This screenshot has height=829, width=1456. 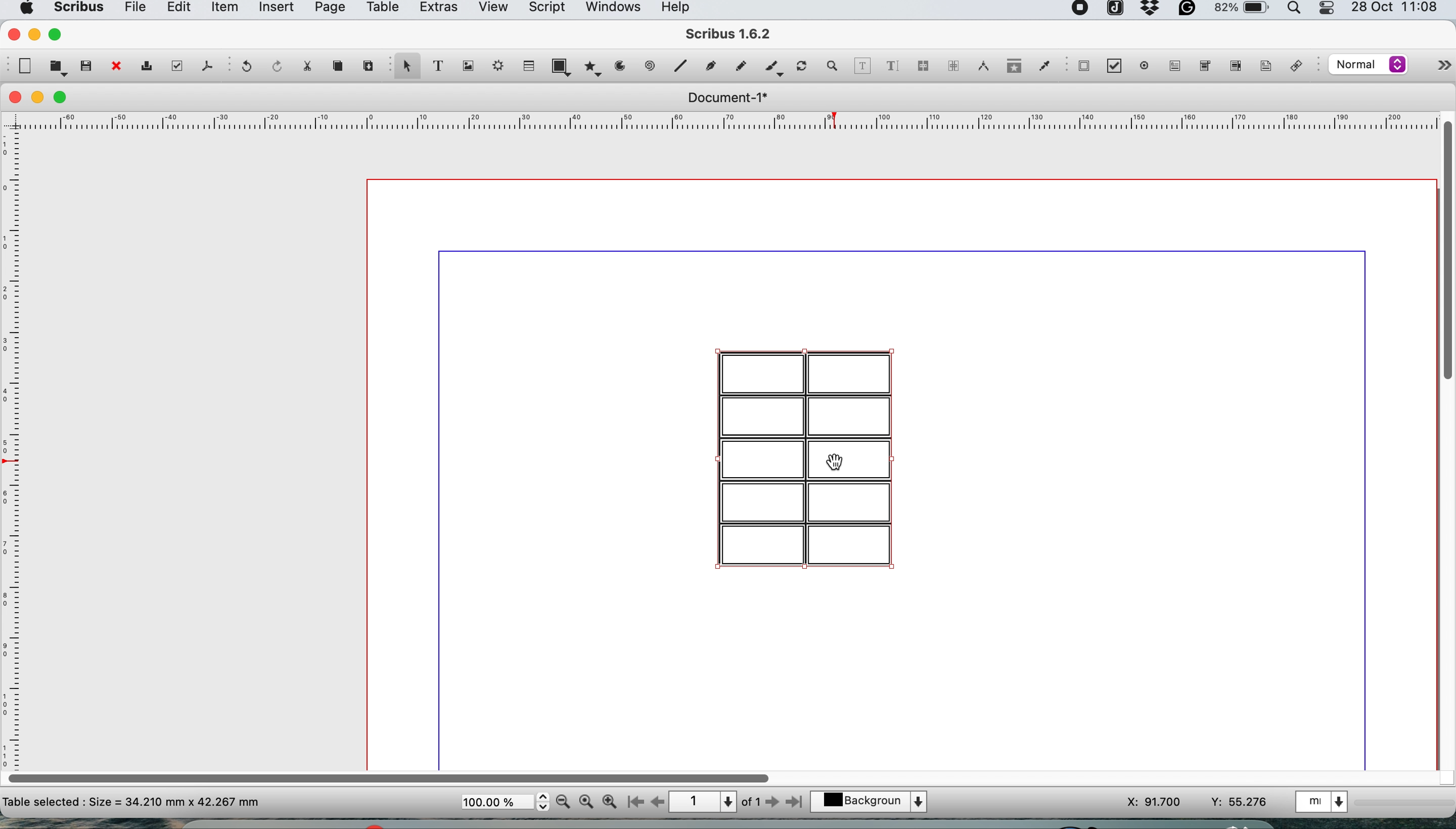 What do you see at coordinates (505, 802) in the screenshot?
I see `zoom scale` at bounding box center [505, 802].